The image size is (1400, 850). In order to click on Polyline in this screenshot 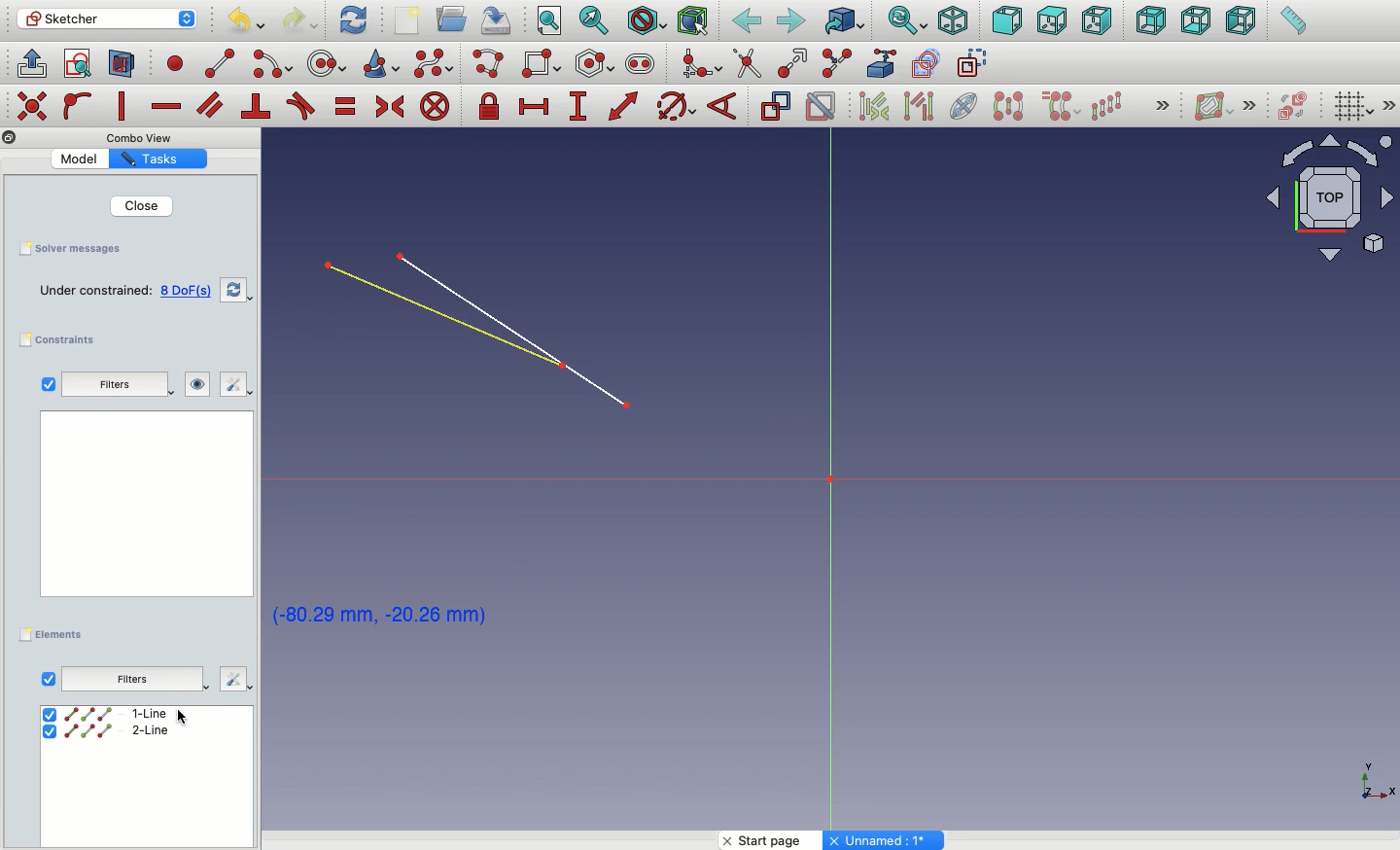, I will do `click(492, 64)`.